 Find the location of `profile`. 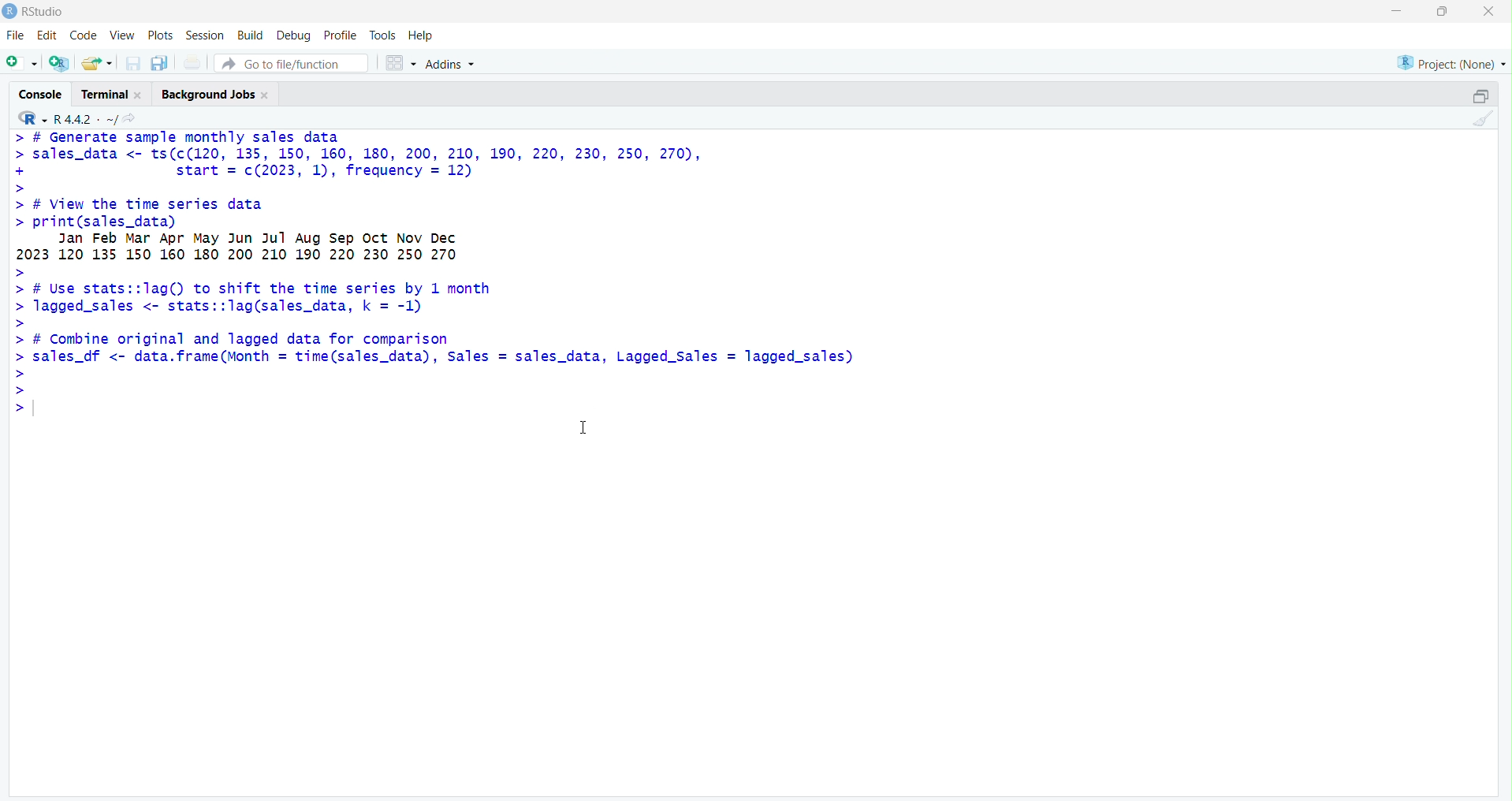

profile is located at coordinates (341, 35).